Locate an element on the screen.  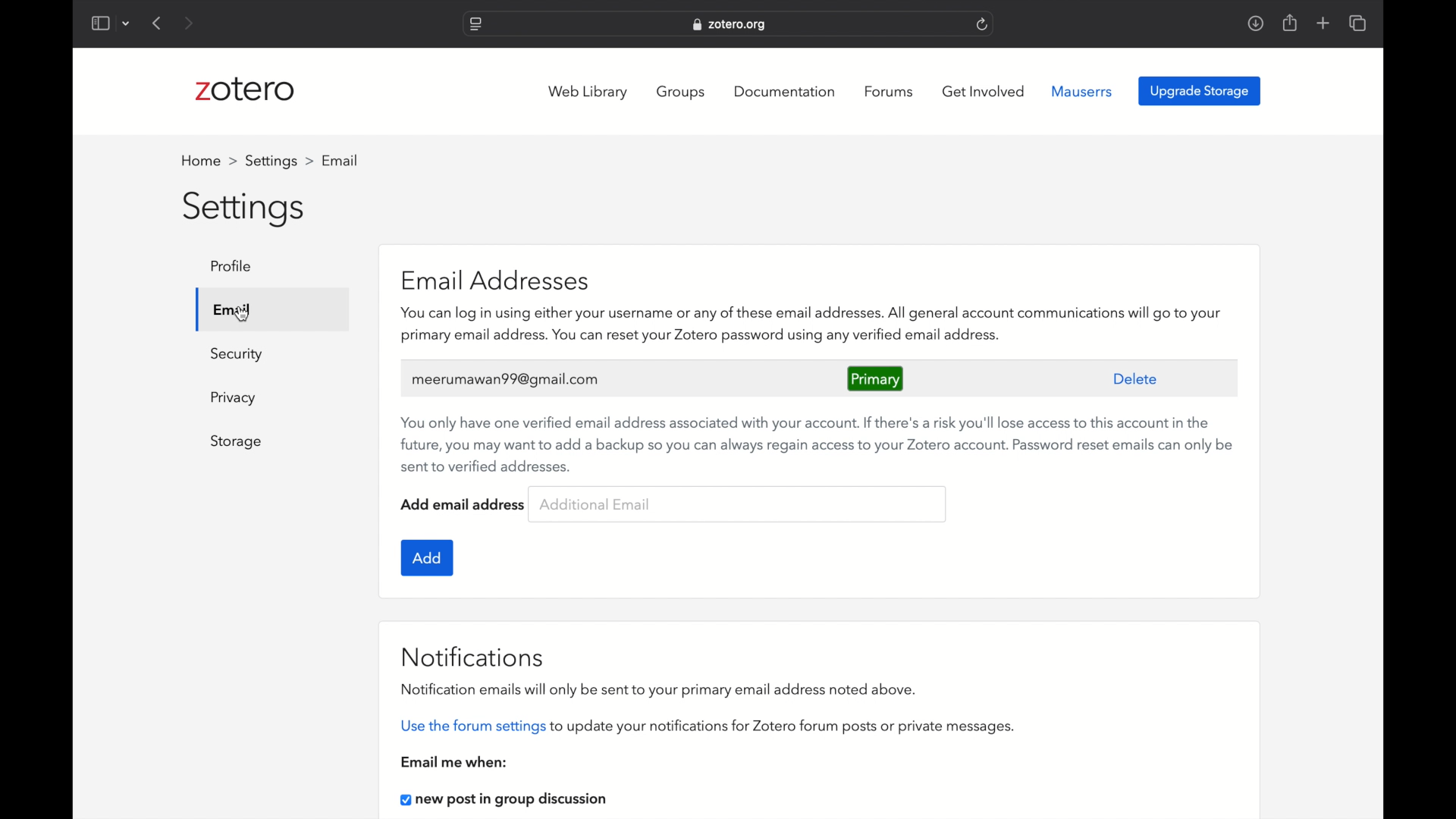
add is located at coordinates (428, 557).